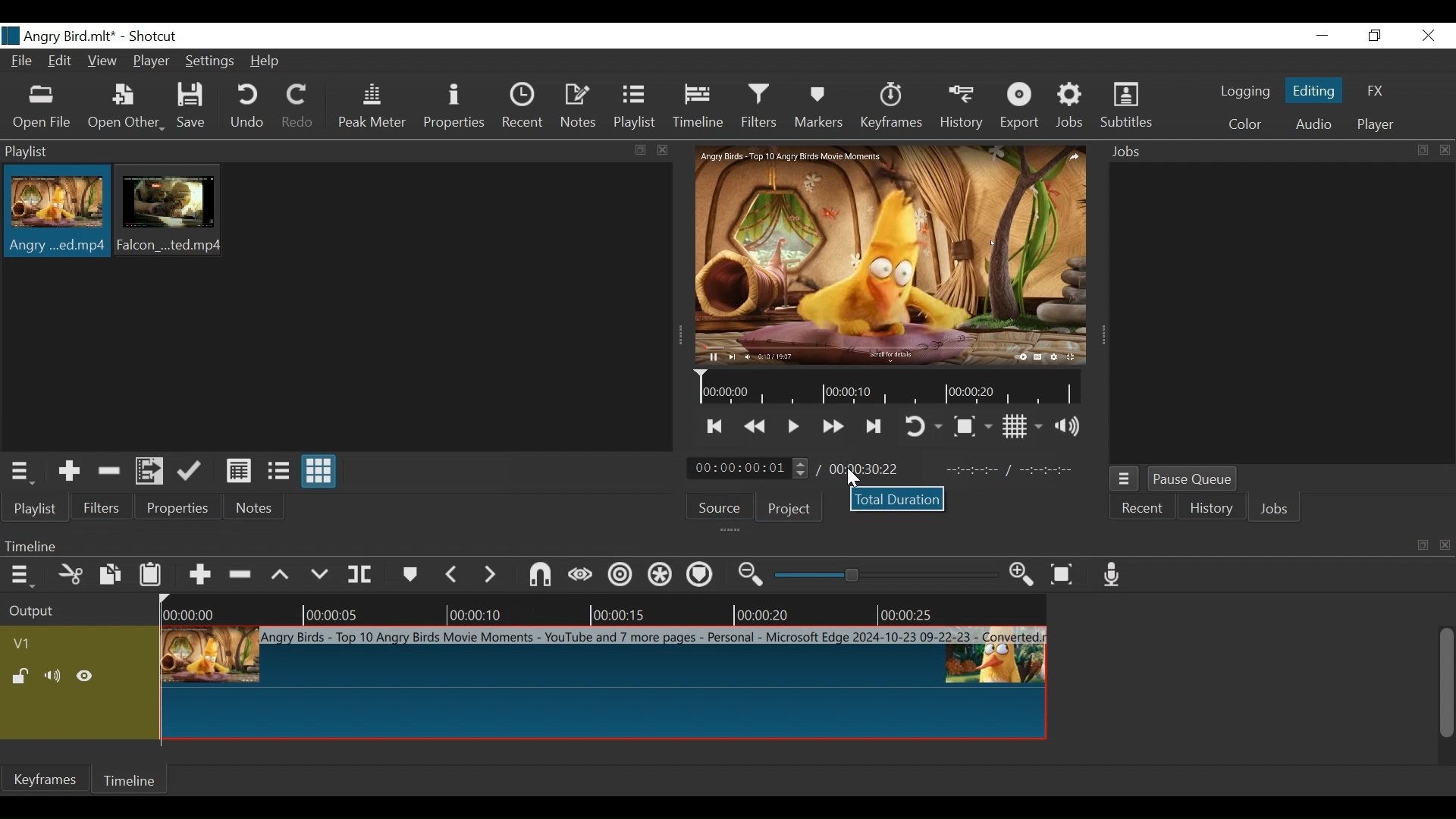 This screenshot has height=819, width=1456. I want to click on Color, so click(1245, 125).